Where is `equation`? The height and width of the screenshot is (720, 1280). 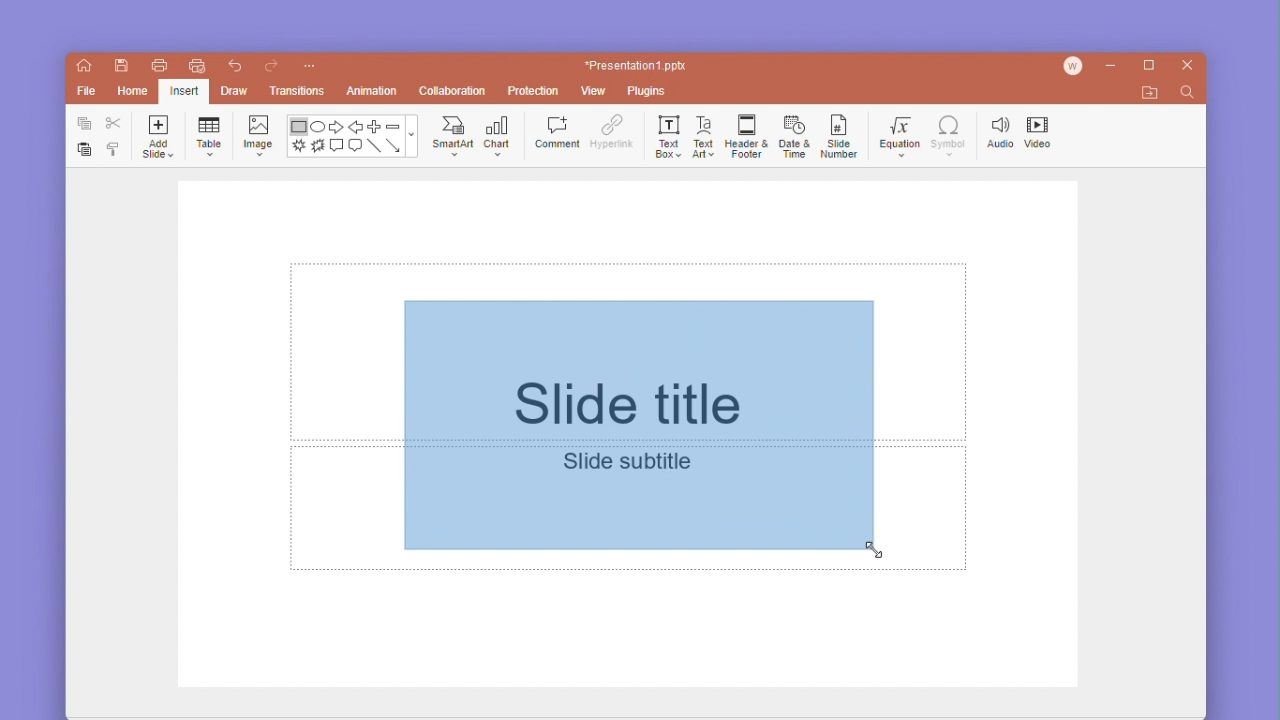 equation is located at coordinates (896, 132).